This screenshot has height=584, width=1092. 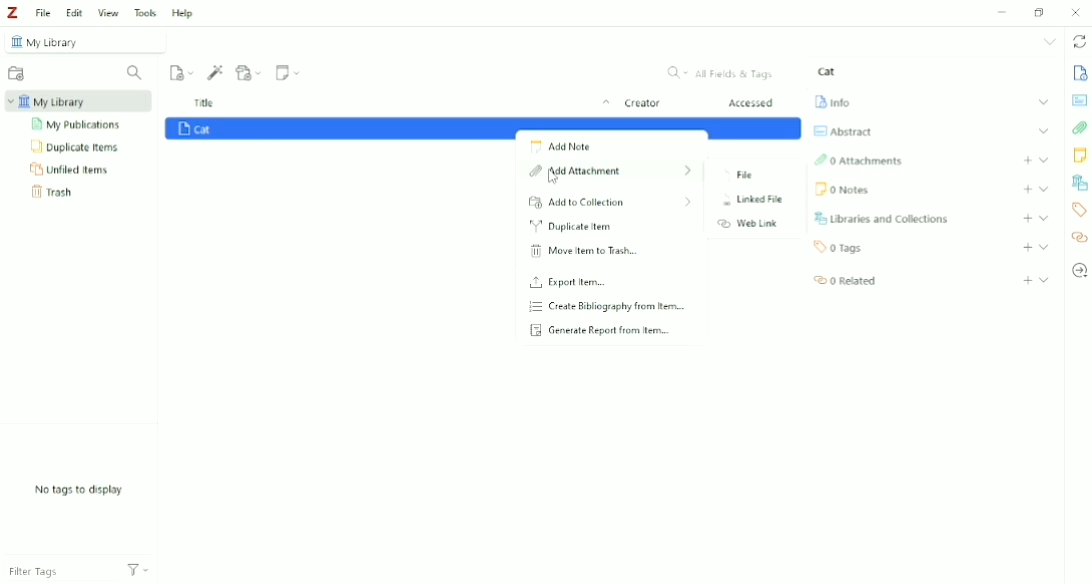 What do you see at coordinates (1045, 189) in the screenshot?
I see `Expand section` at bounding box center [1045, 189].